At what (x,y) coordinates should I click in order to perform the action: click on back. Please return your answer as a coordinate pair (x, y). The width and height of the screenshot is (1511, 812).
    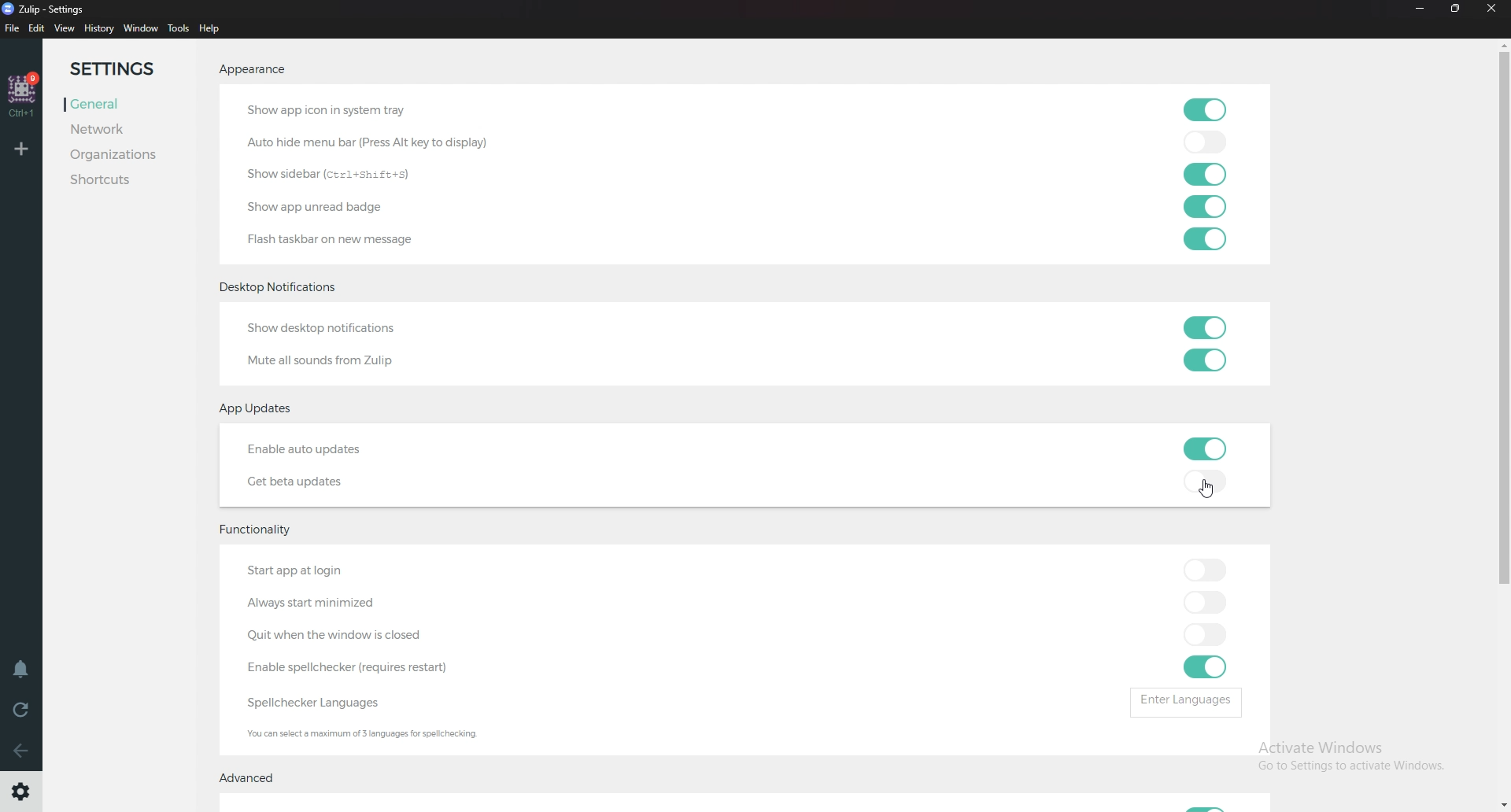
    Looking at the image, I should click on (19, 751).